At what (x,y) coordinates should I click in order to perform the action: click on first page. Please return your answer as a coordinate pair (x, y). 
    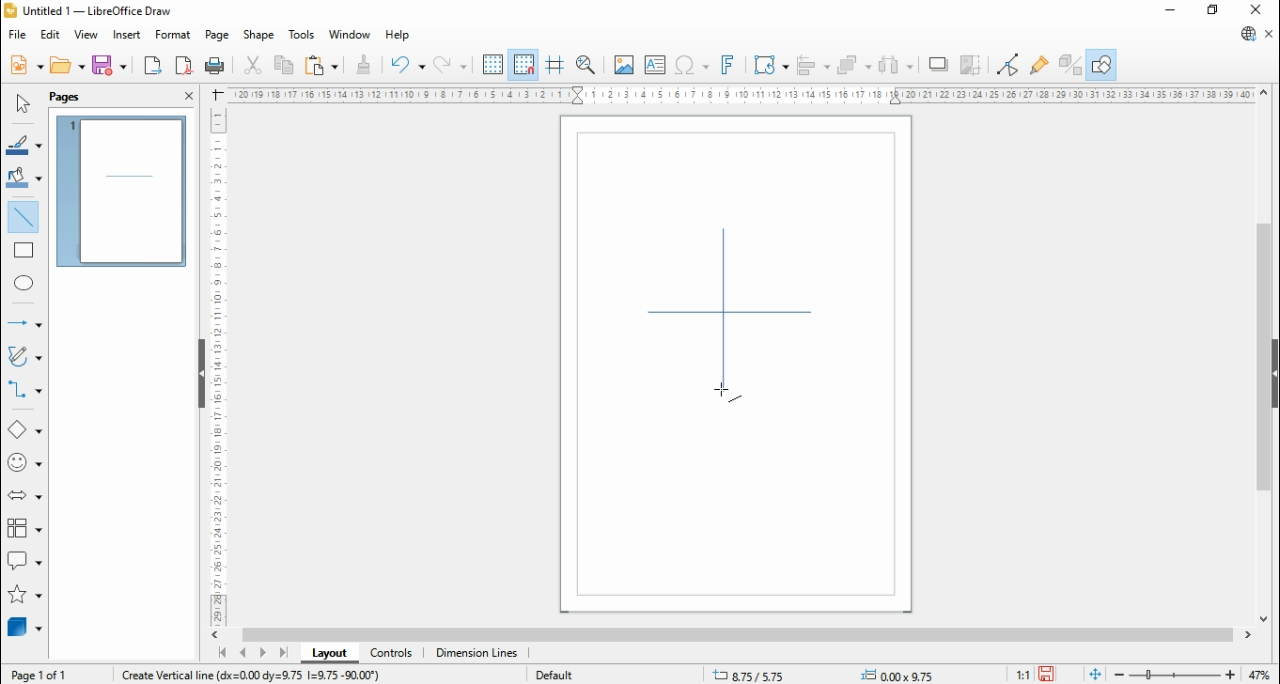
    Looking at the image, I should click on (220, 653).